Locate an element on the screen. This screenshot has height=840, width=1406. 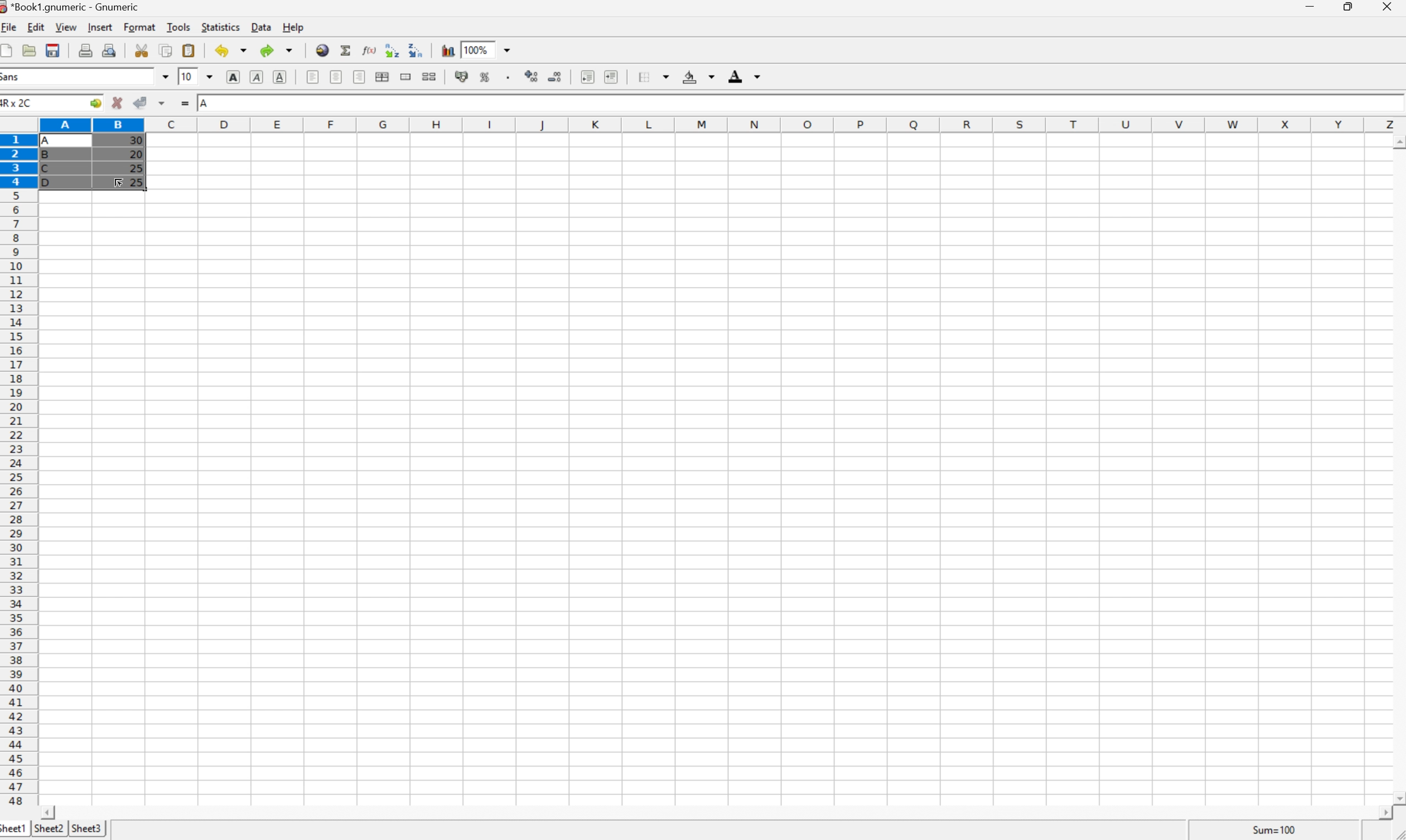
Italic is located at coordinates (257, 76).